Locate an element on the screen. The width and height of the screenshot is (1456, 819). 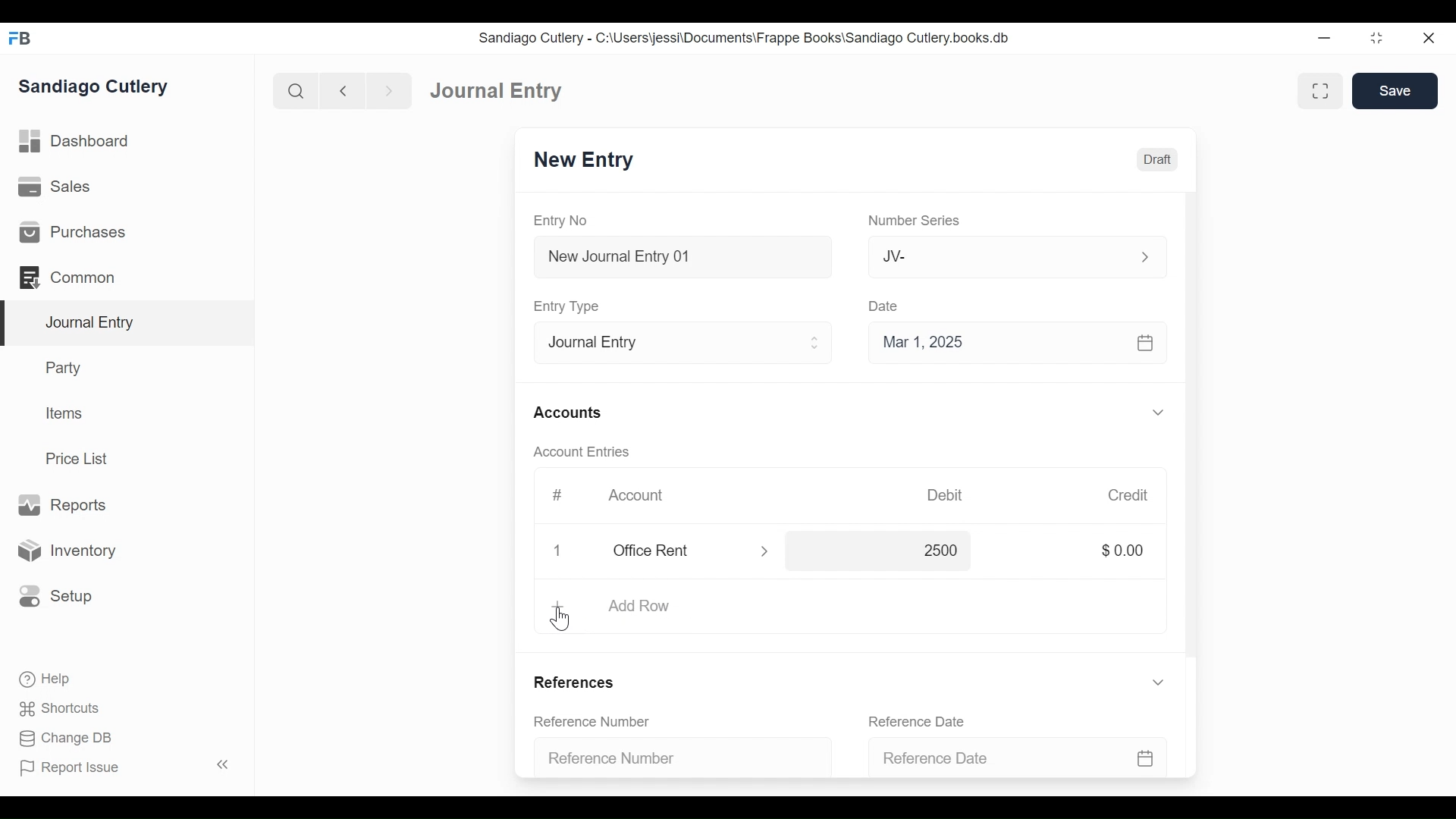
Number Series is located at coordinates (912, 221).